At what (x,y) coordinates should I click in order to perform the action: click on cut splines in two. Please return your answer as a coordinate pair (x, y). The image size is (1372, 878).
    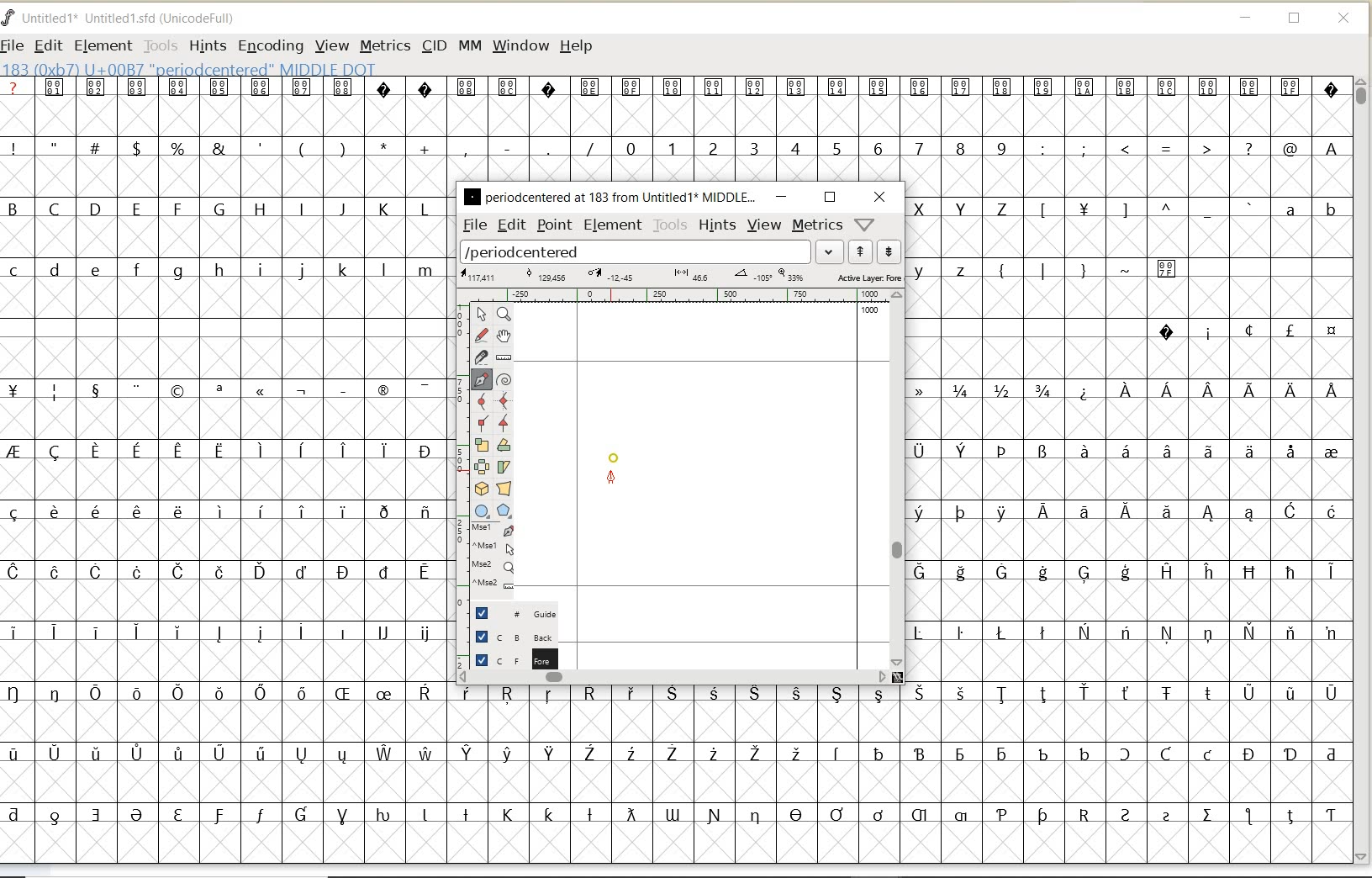
    Looking at the image, I should click on (481, 357).